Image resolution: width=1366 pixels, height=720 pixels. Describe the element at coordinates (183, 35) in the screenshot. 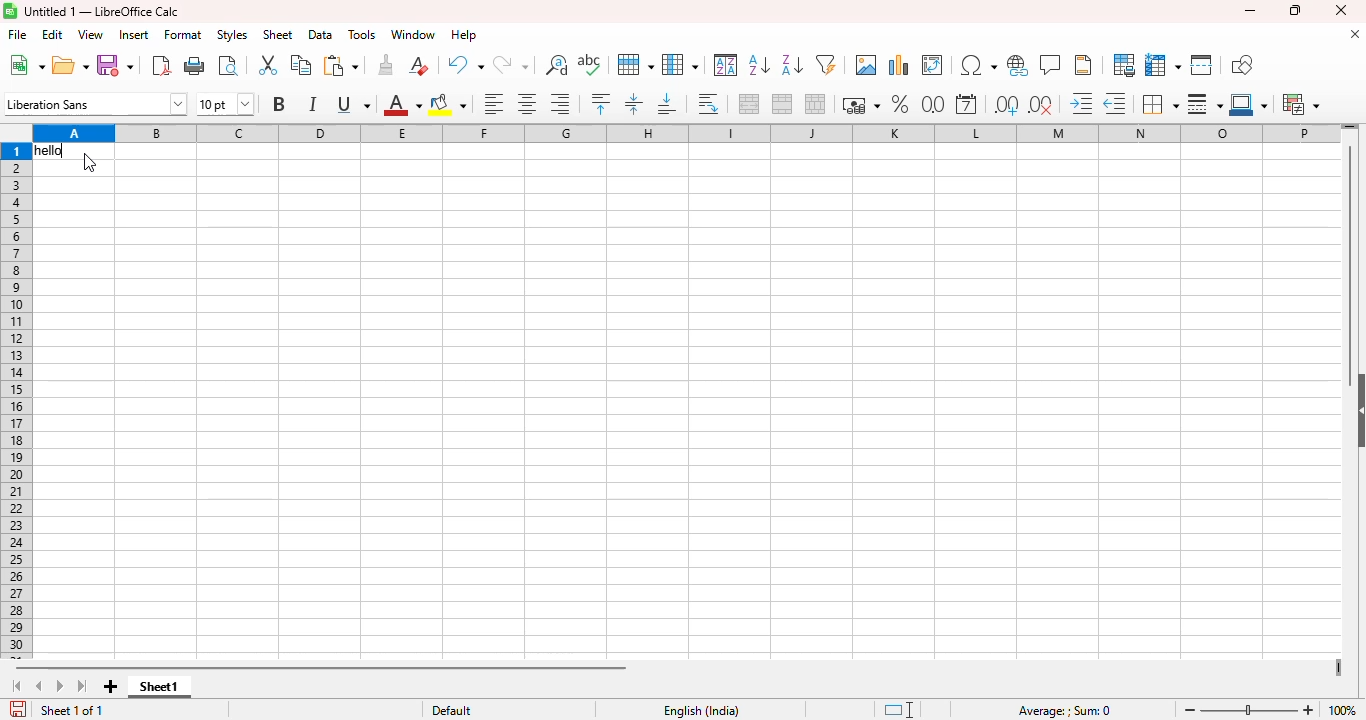

I see `format` at that location.